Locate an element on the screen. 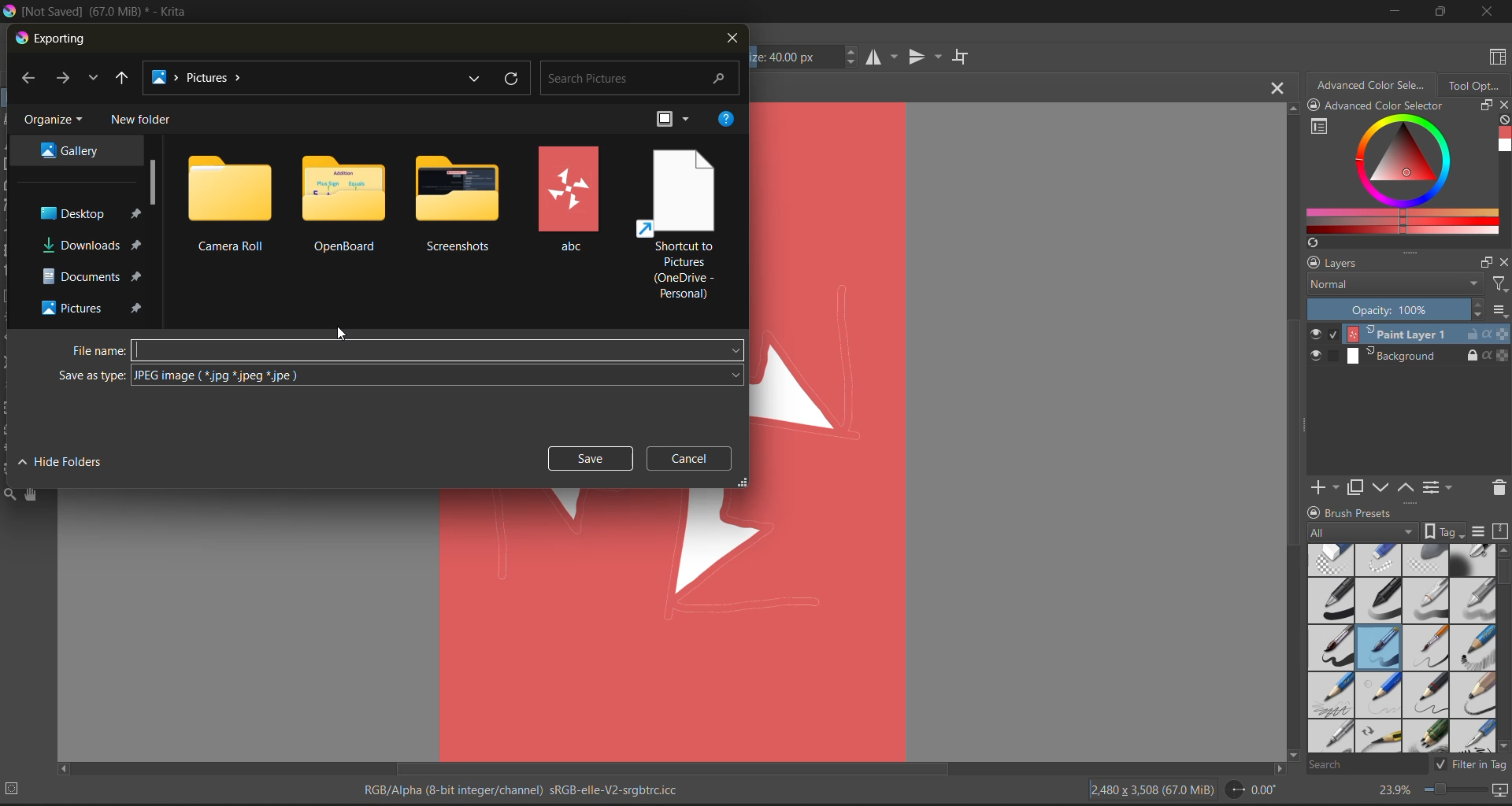  storage resources is located at coordinates (1502, 532).